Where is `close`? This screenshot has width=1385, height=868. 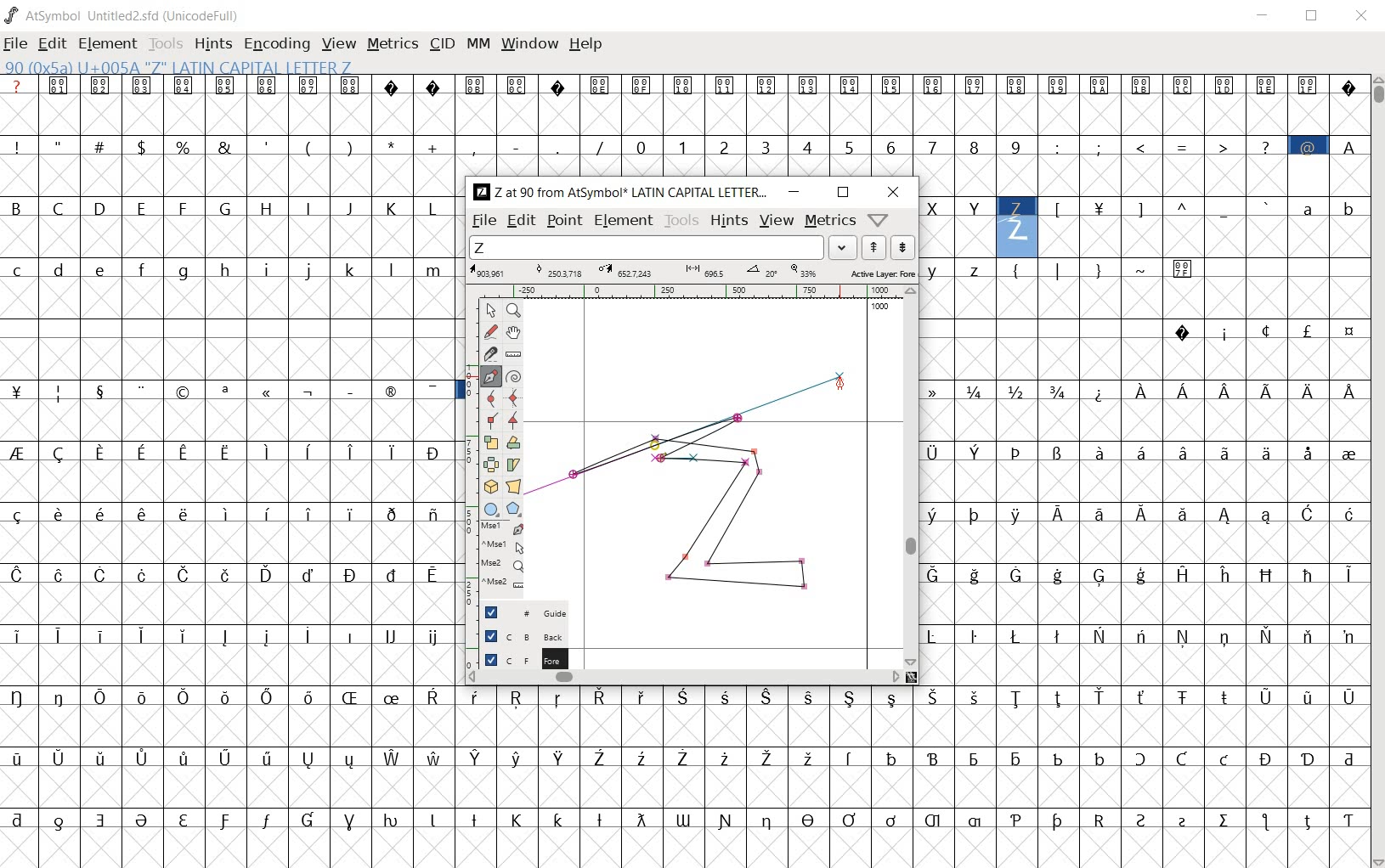
close is located at coordinates (894, 194).